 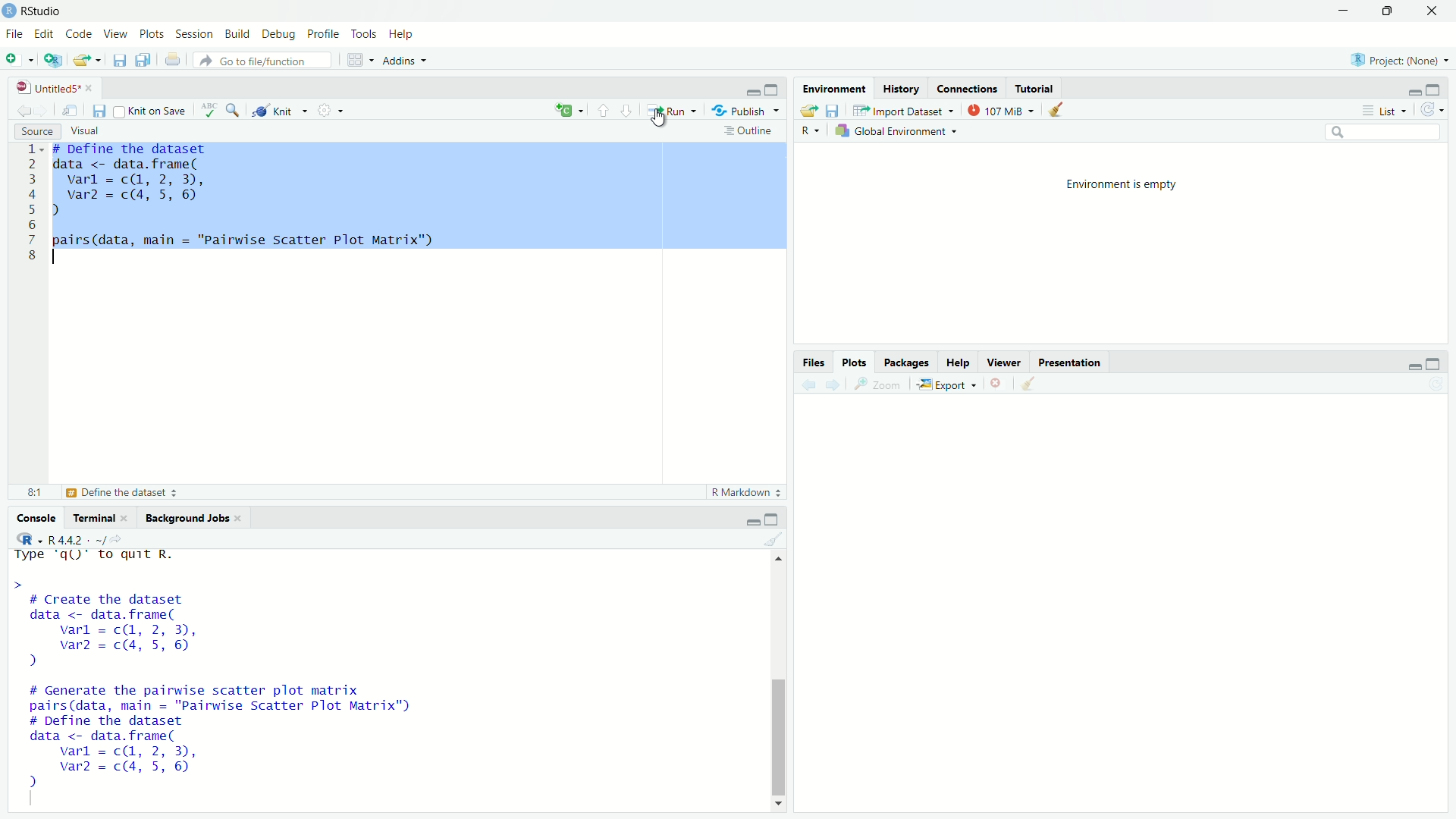 I want to click on Settings, so click(x=330, y=109).